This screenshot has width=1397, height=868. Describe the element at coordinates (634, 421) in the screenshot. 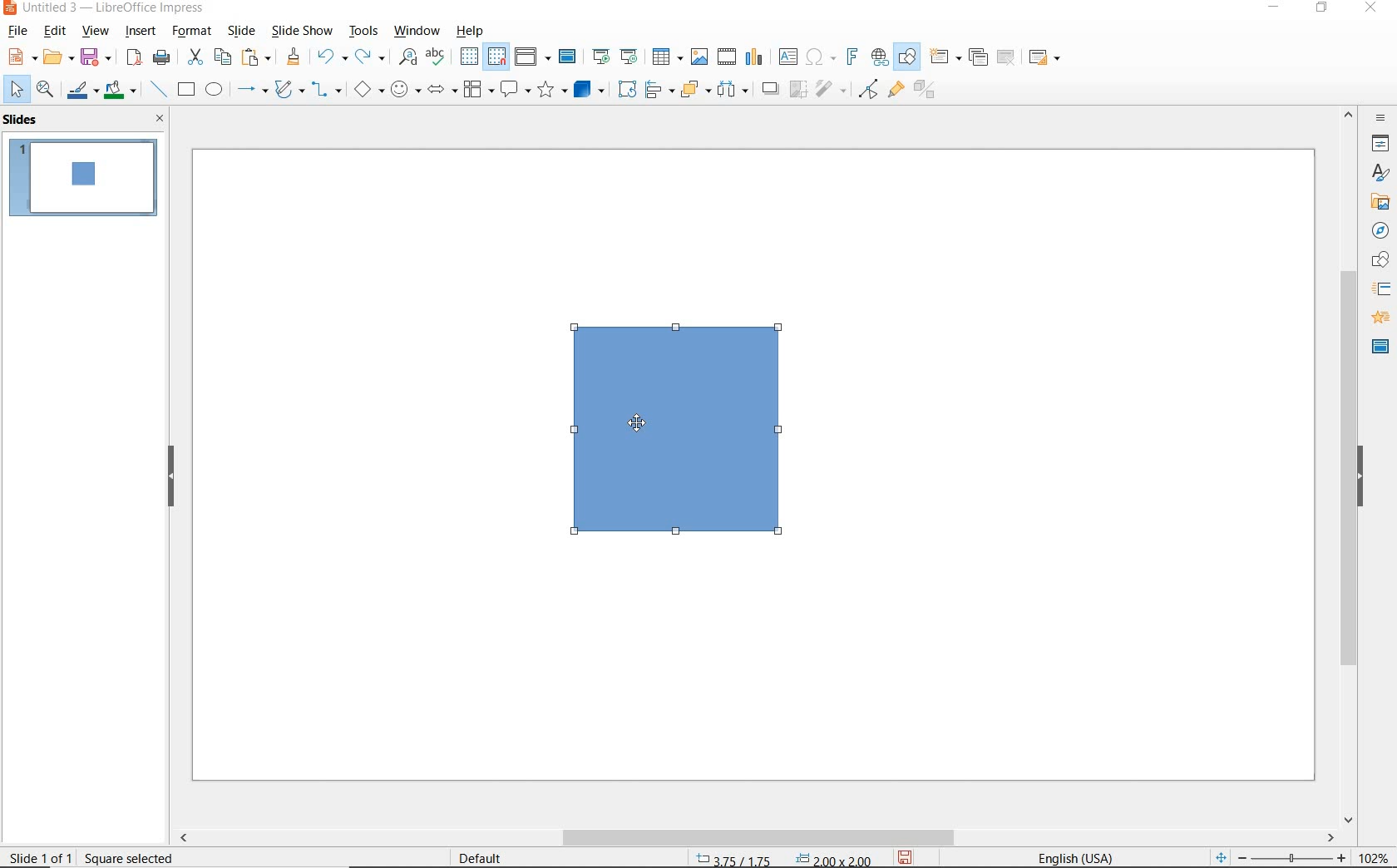

I see `cursor` at that location.